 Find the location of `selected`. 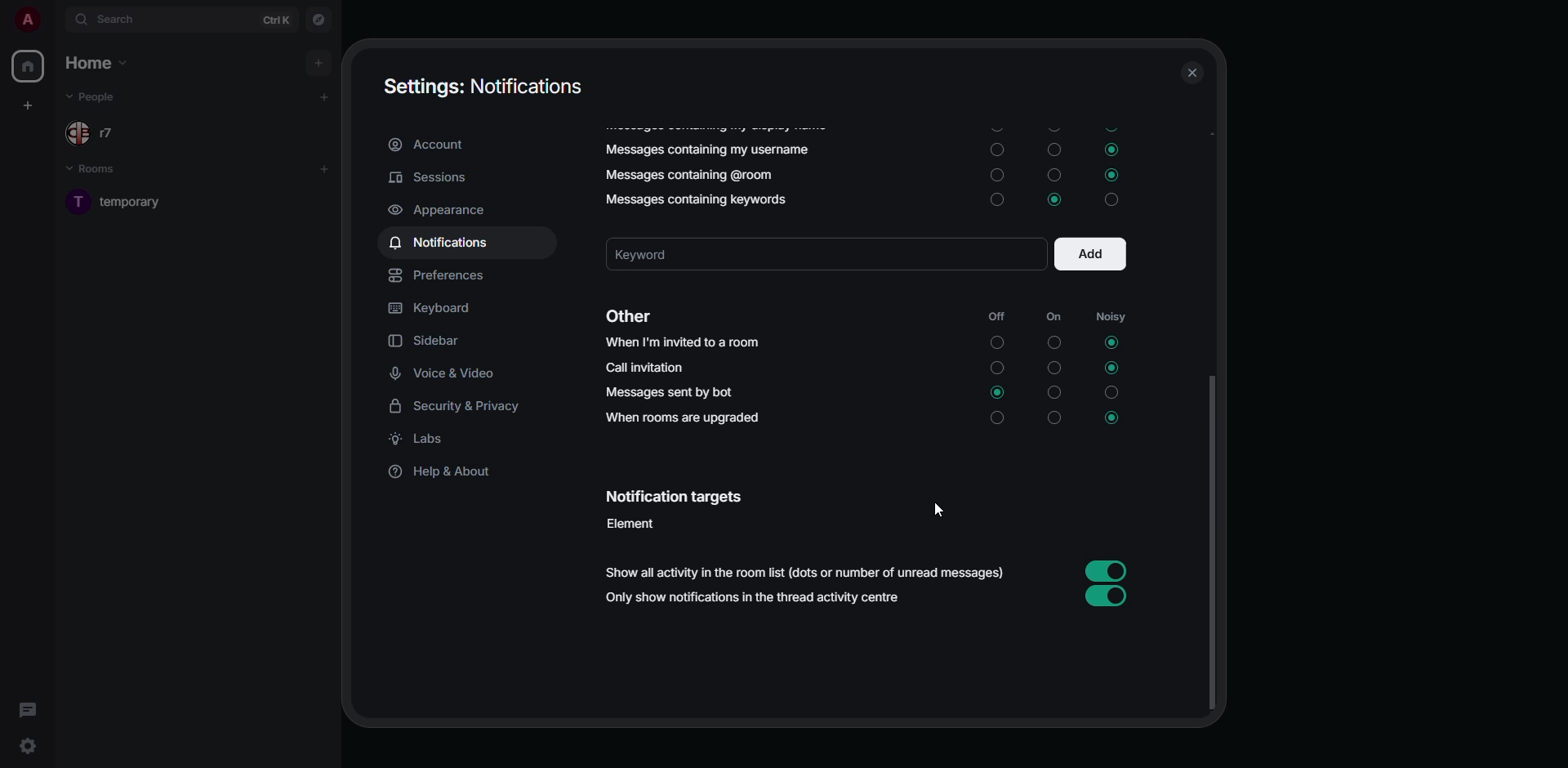

selected is located at coordinates (1107, 343).